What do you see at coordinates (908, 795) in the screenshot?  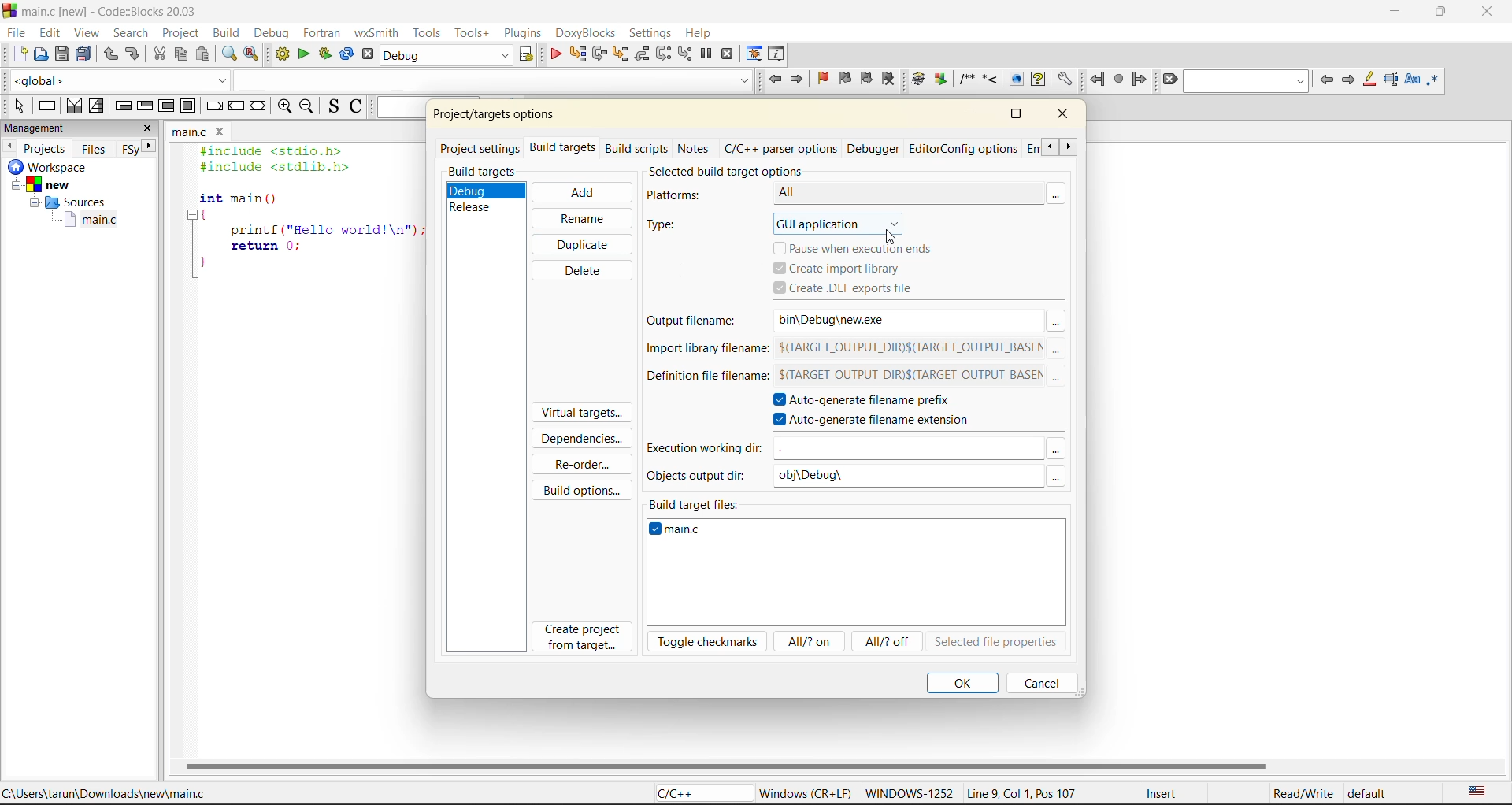 I see `WINDOWS-1252` at bounding box center [908, 795].